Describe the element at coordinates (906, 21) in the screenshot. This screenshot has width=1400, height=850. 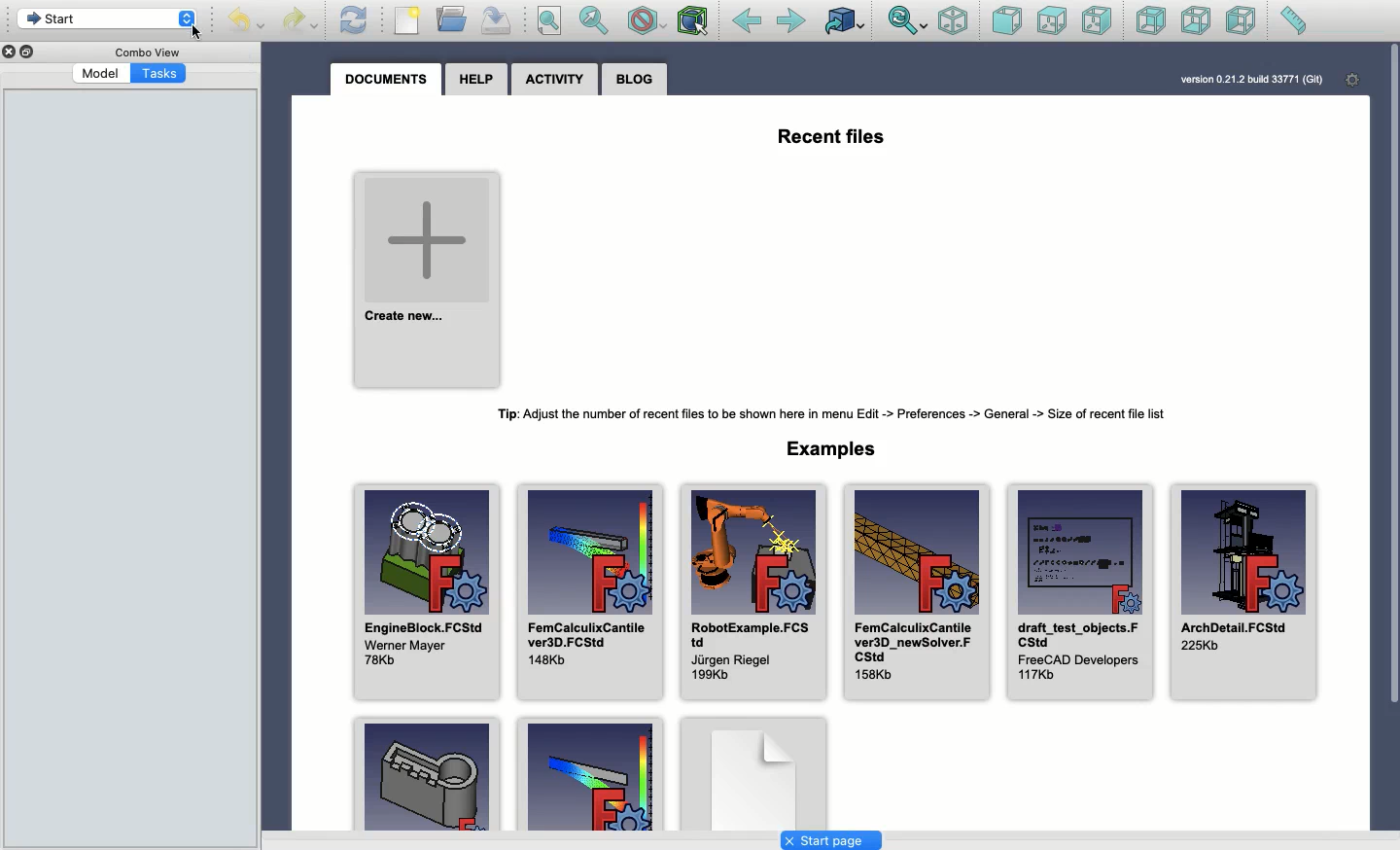
I see `Sync view` at that location.